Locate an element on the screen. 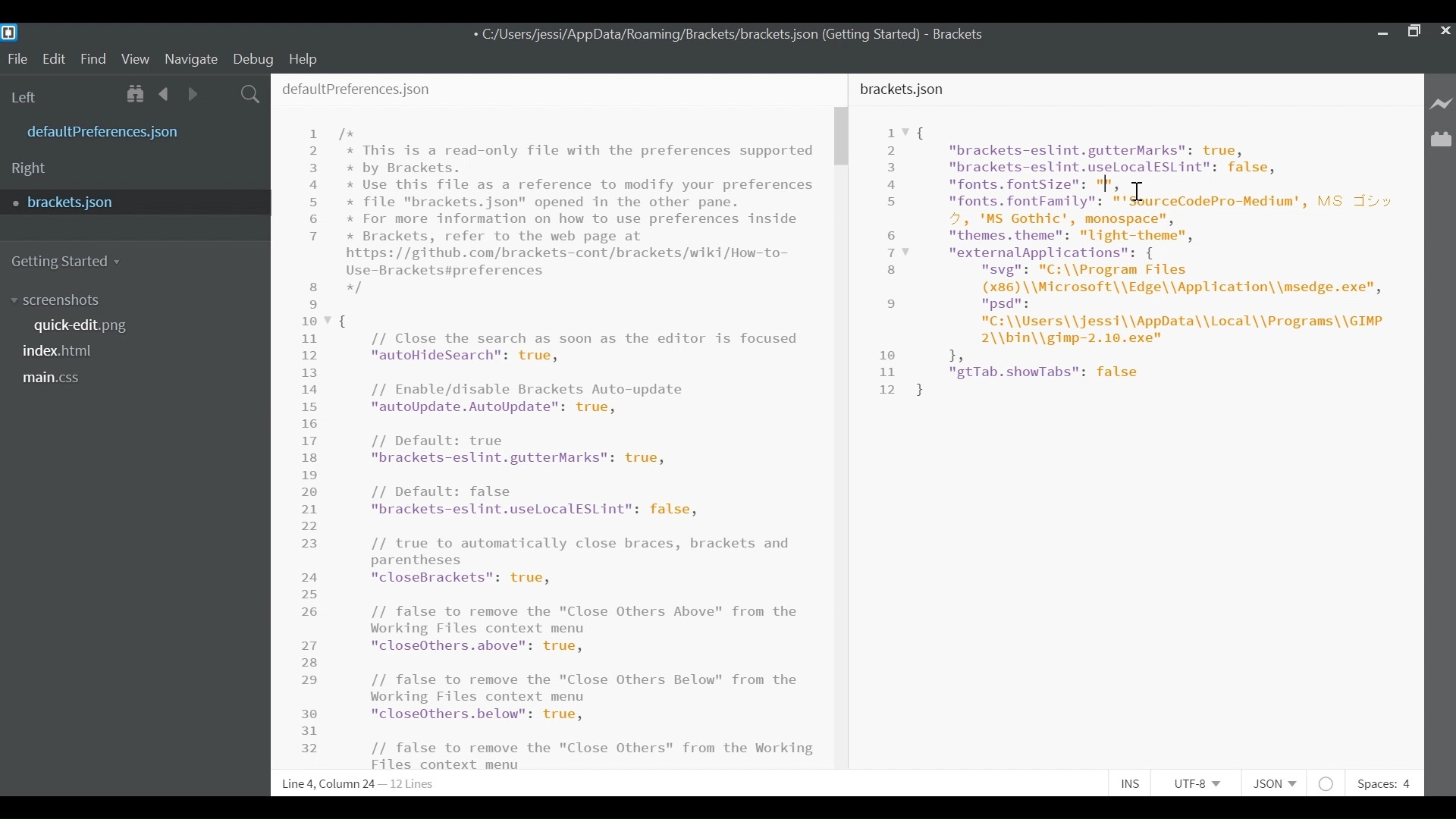 The height and width of the screenshot is (819, 1456). View is located at coordinates (136, 60).